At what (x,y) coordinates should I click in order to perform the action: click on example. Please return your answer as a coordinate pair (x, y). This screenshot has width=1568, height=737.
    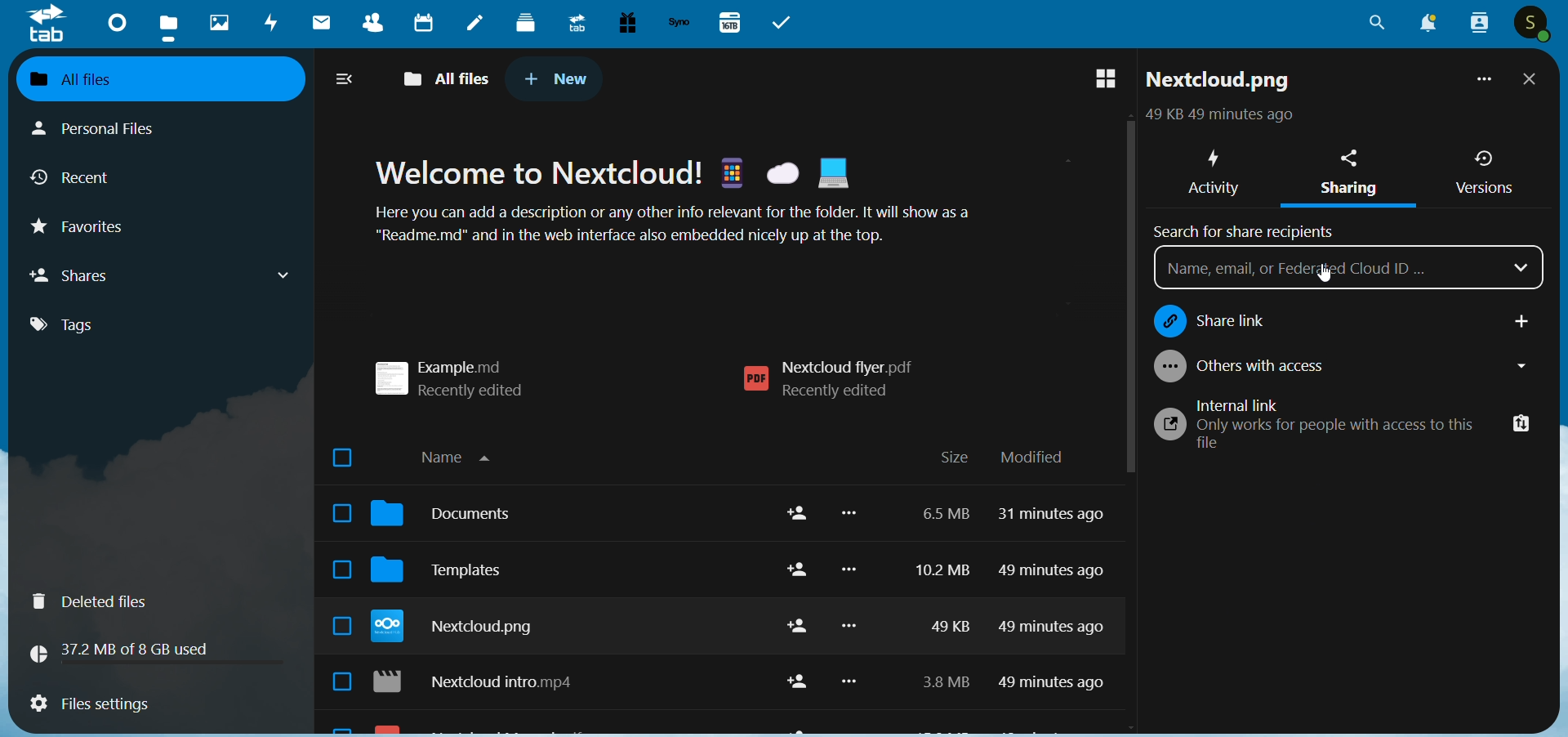
    Looking at the image, I should click on (461, 373).